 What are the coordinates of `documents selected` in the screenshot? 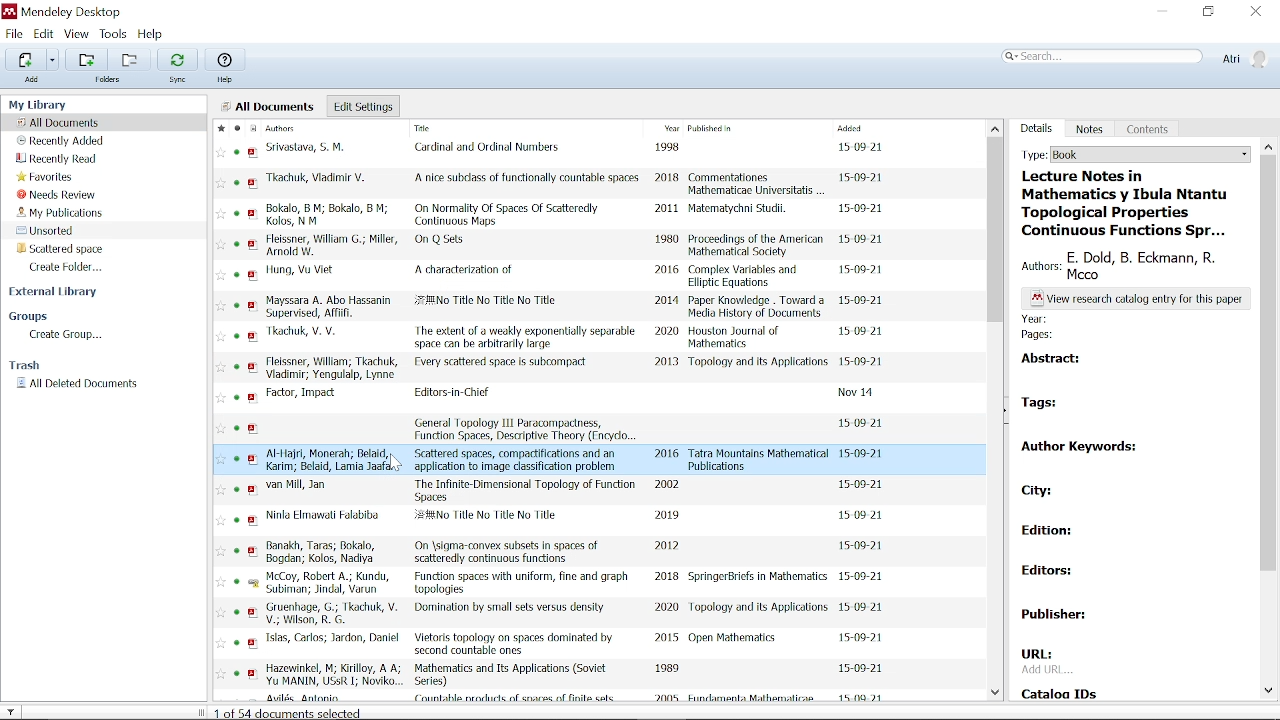 It's located at (292, 712).